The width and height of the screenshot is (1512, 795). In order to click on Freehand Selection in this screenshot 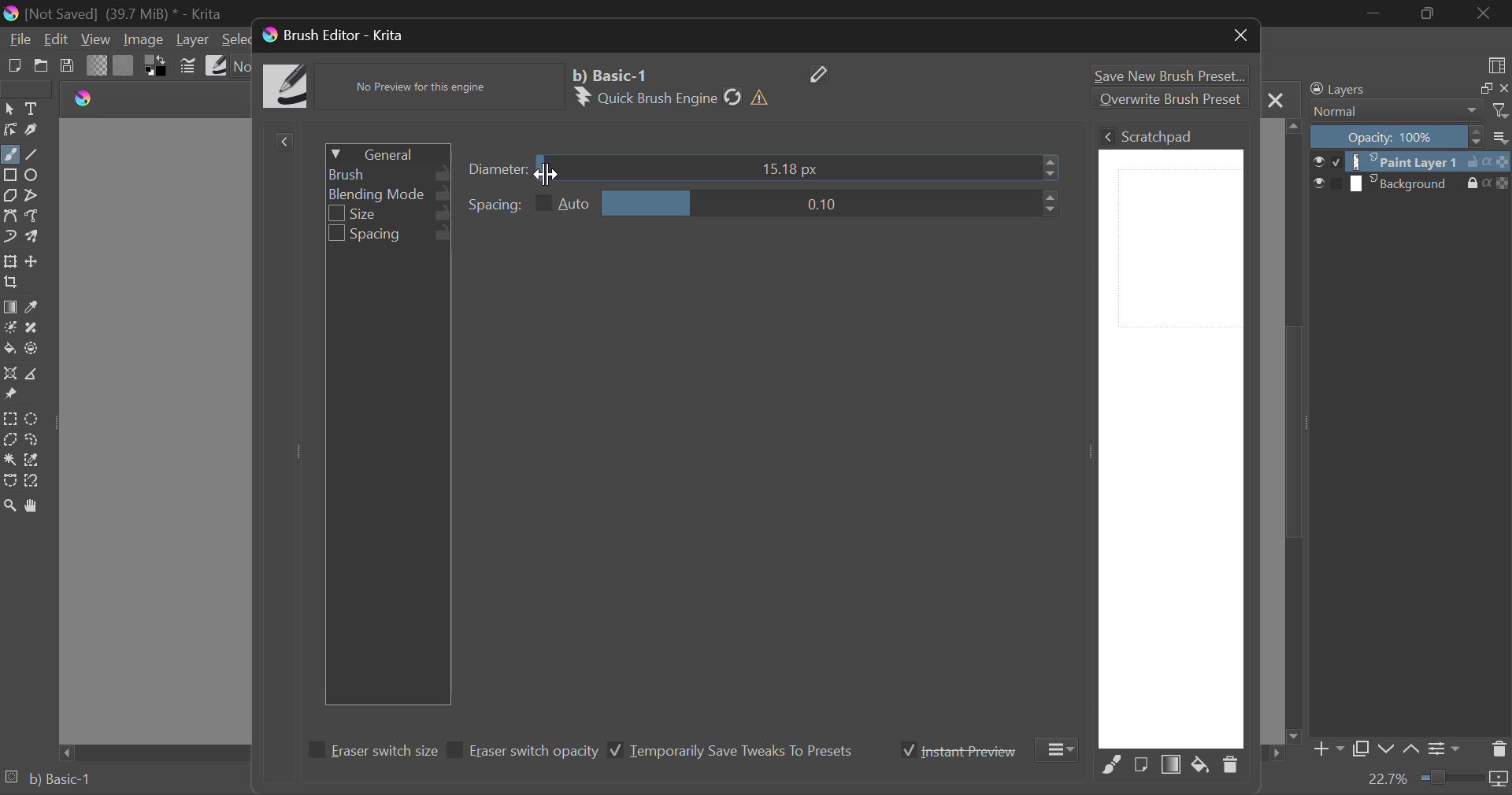, I will do `click(31, 441)`.